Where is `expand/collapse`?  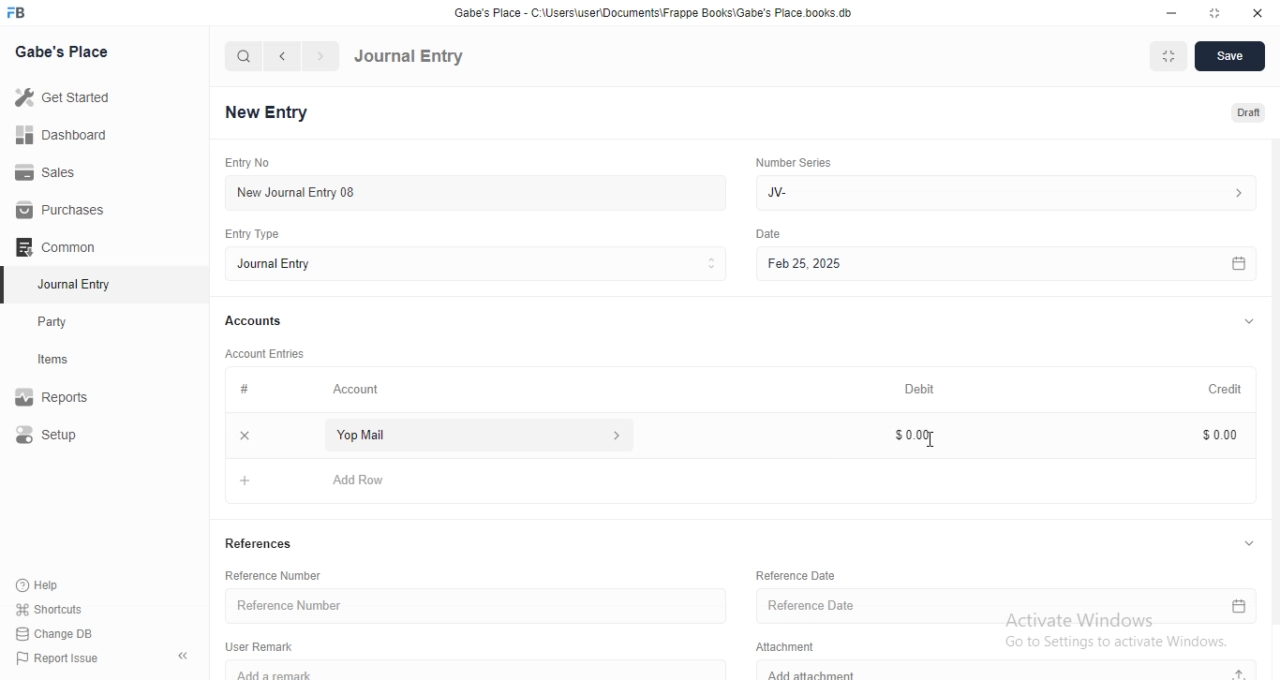 expand/collapse is located at coordinates (1248, 543).